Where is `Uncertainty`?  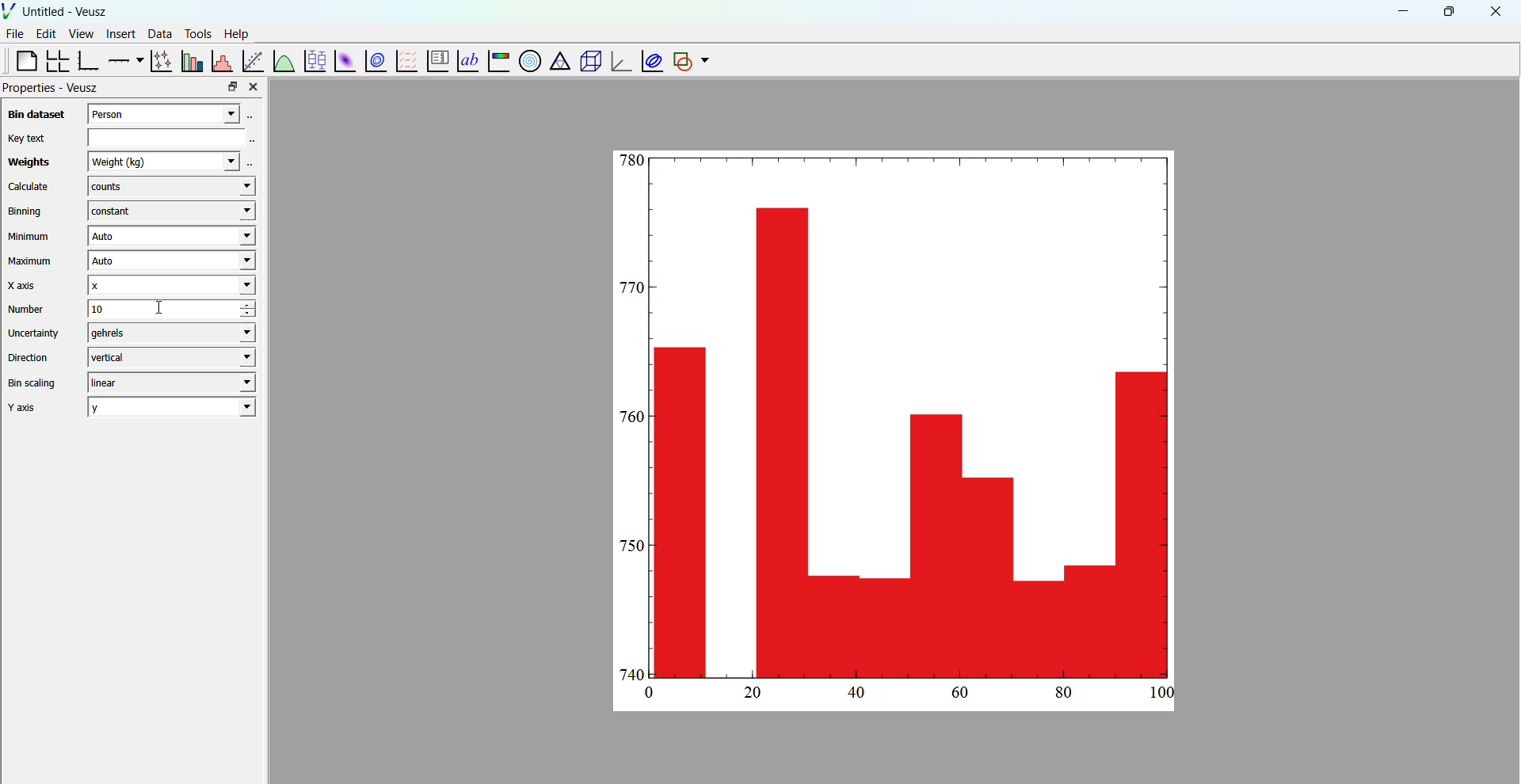
Uncertainty is located at coordinates (35, 333).